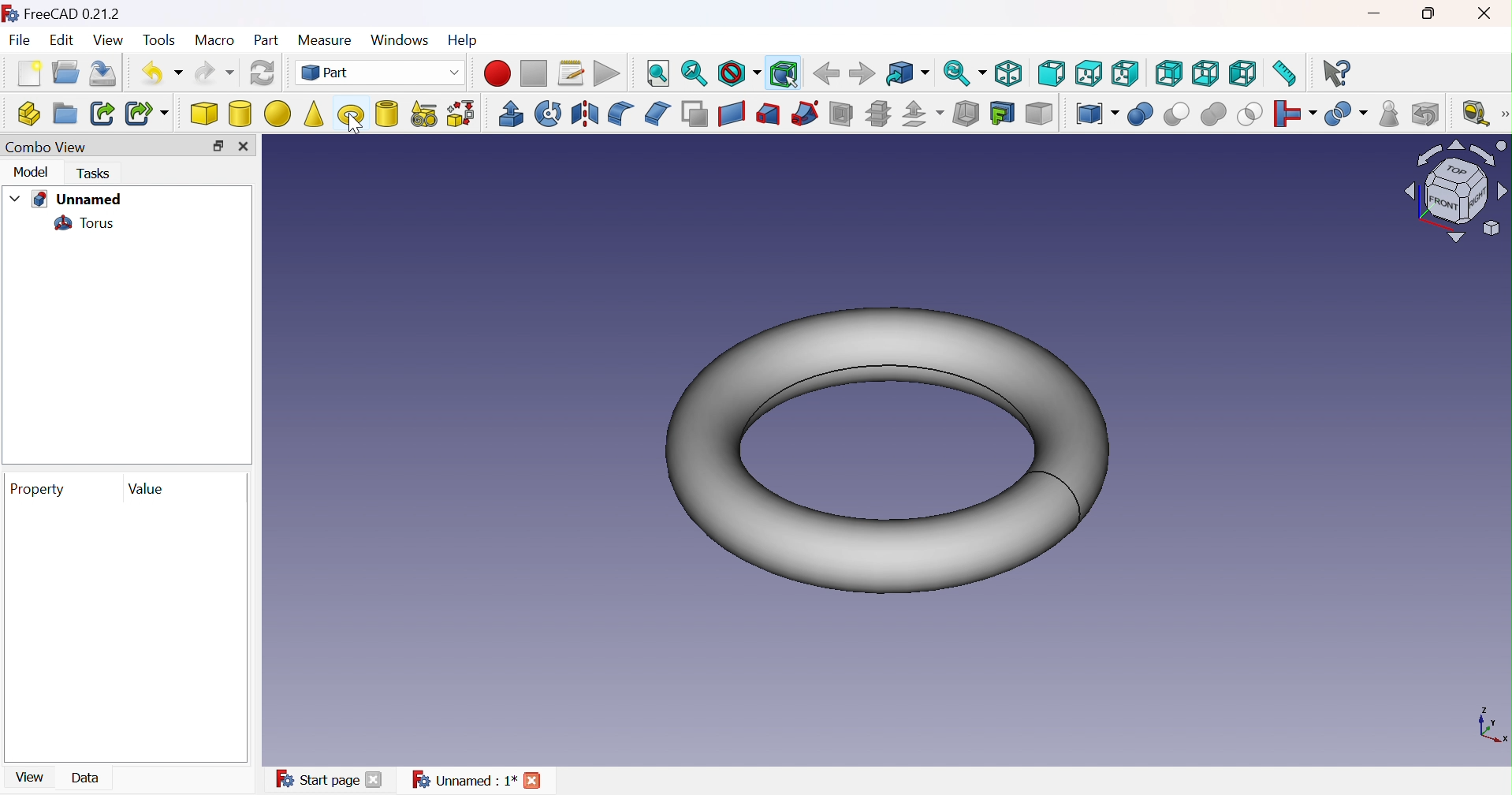 The height and width of the screenshot is (795, 1512). What do you see at coordinates (879, 114) in the screenshot?
I see `Sub-sections` at bounding box center [879, 114].